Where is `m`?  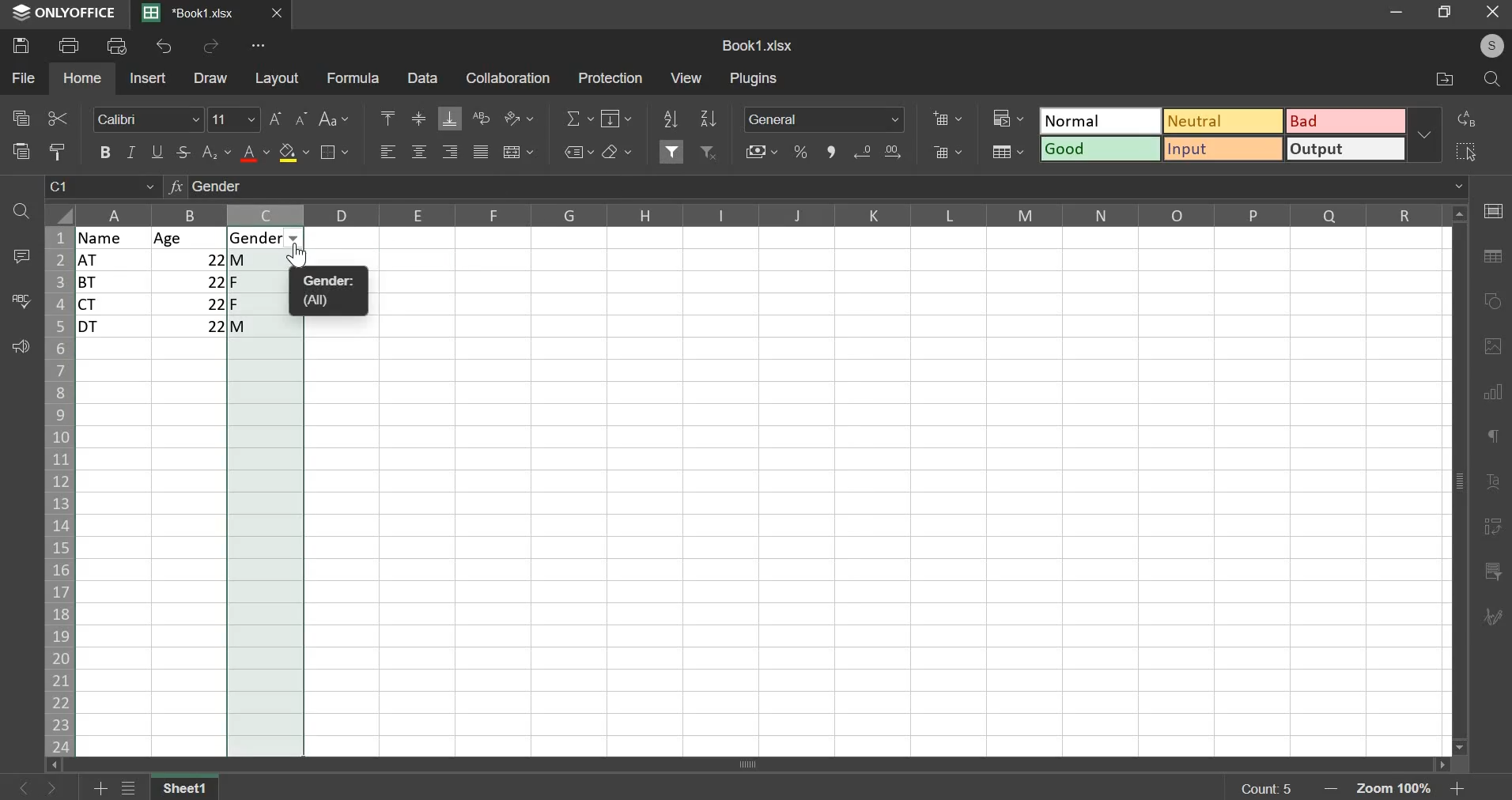
m is located at coordinates (265, 259).